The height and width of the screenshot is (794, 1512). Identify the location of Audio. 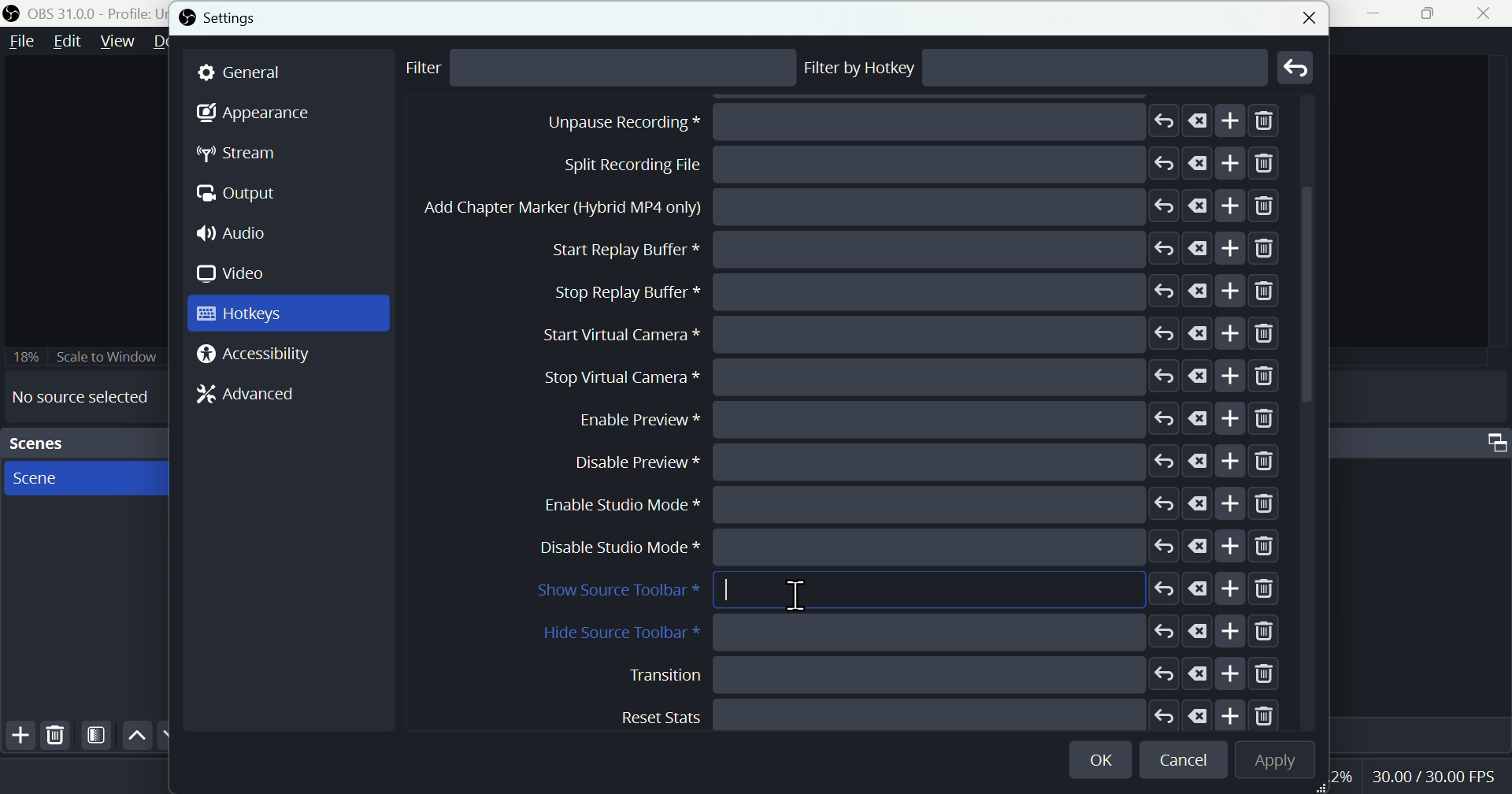
(239, 235).